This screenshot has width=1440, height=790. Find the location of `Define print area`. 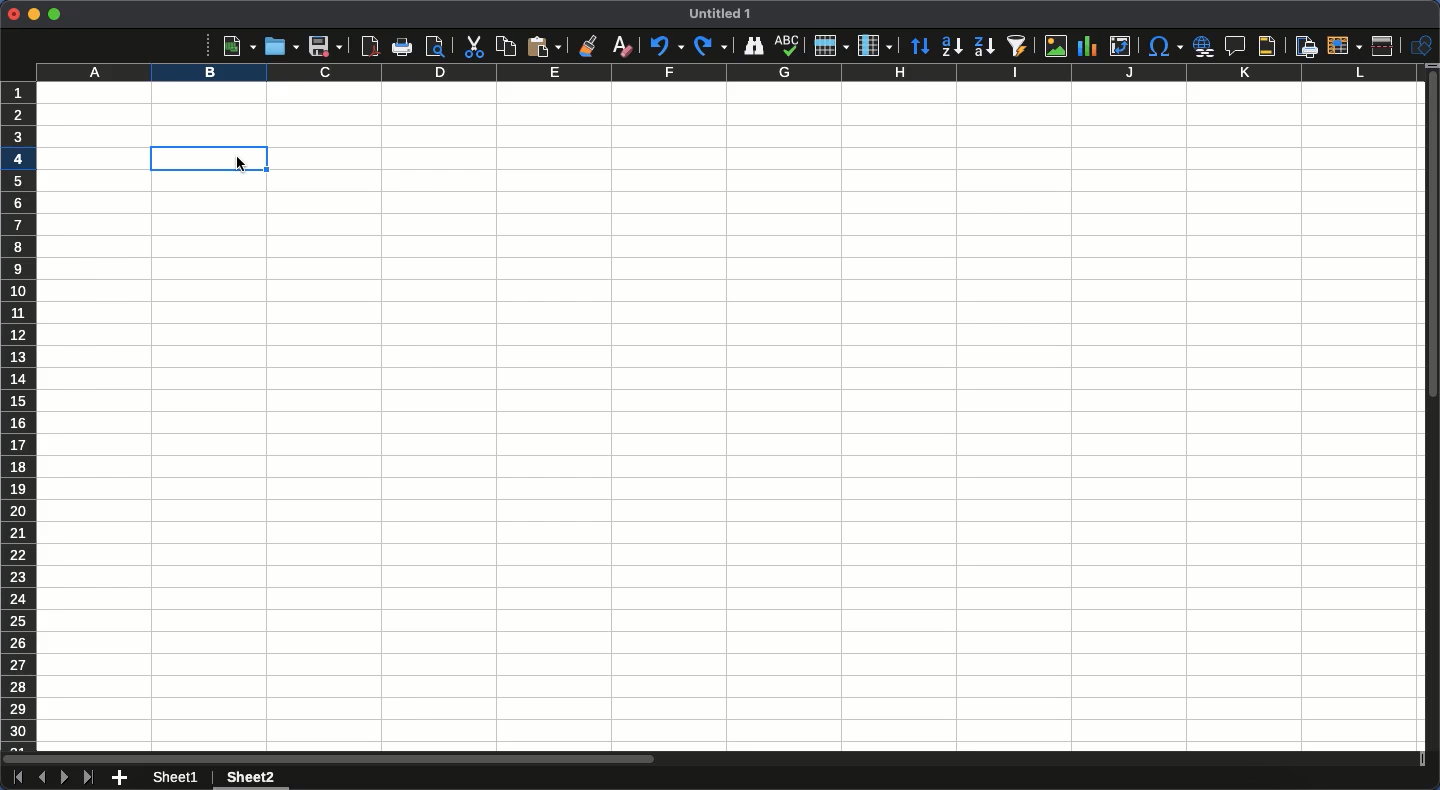

Define print area is located at coordinates (1305, 47).